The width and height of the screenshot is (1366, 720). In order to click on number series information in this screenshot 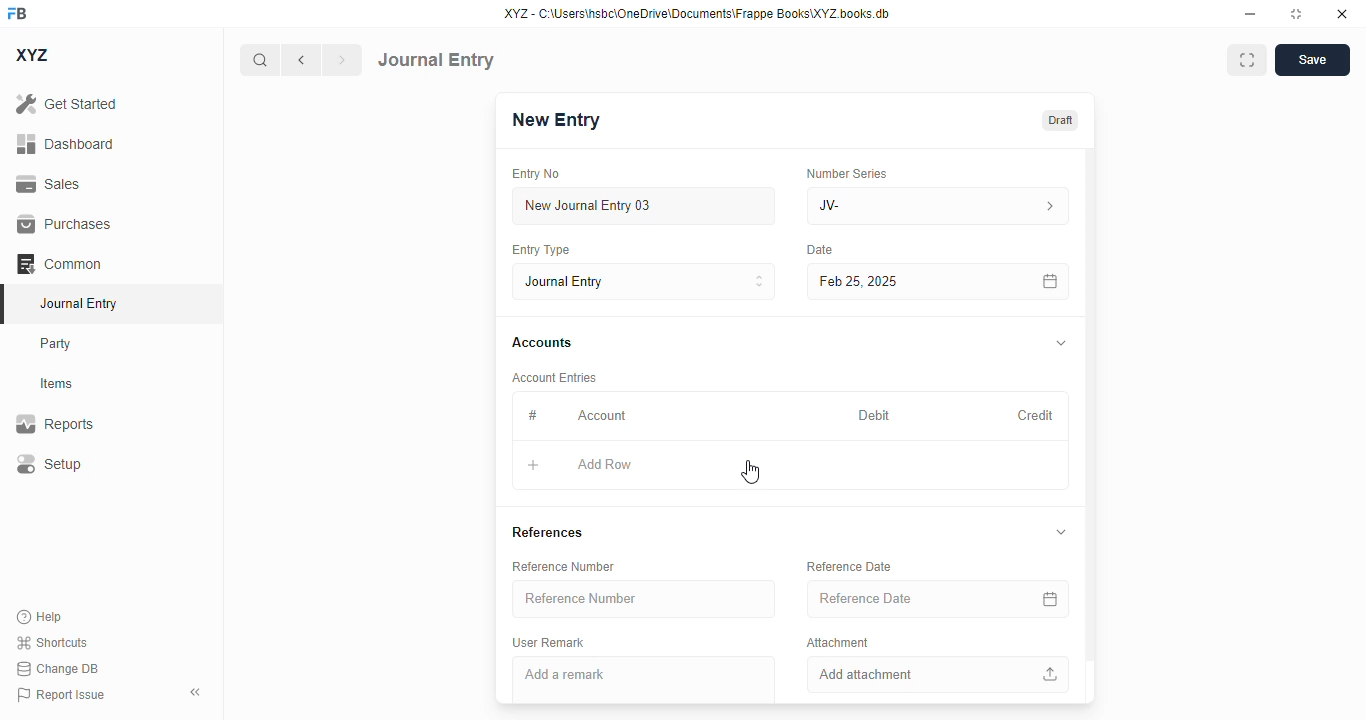, I will do `click(1048, 207)`.